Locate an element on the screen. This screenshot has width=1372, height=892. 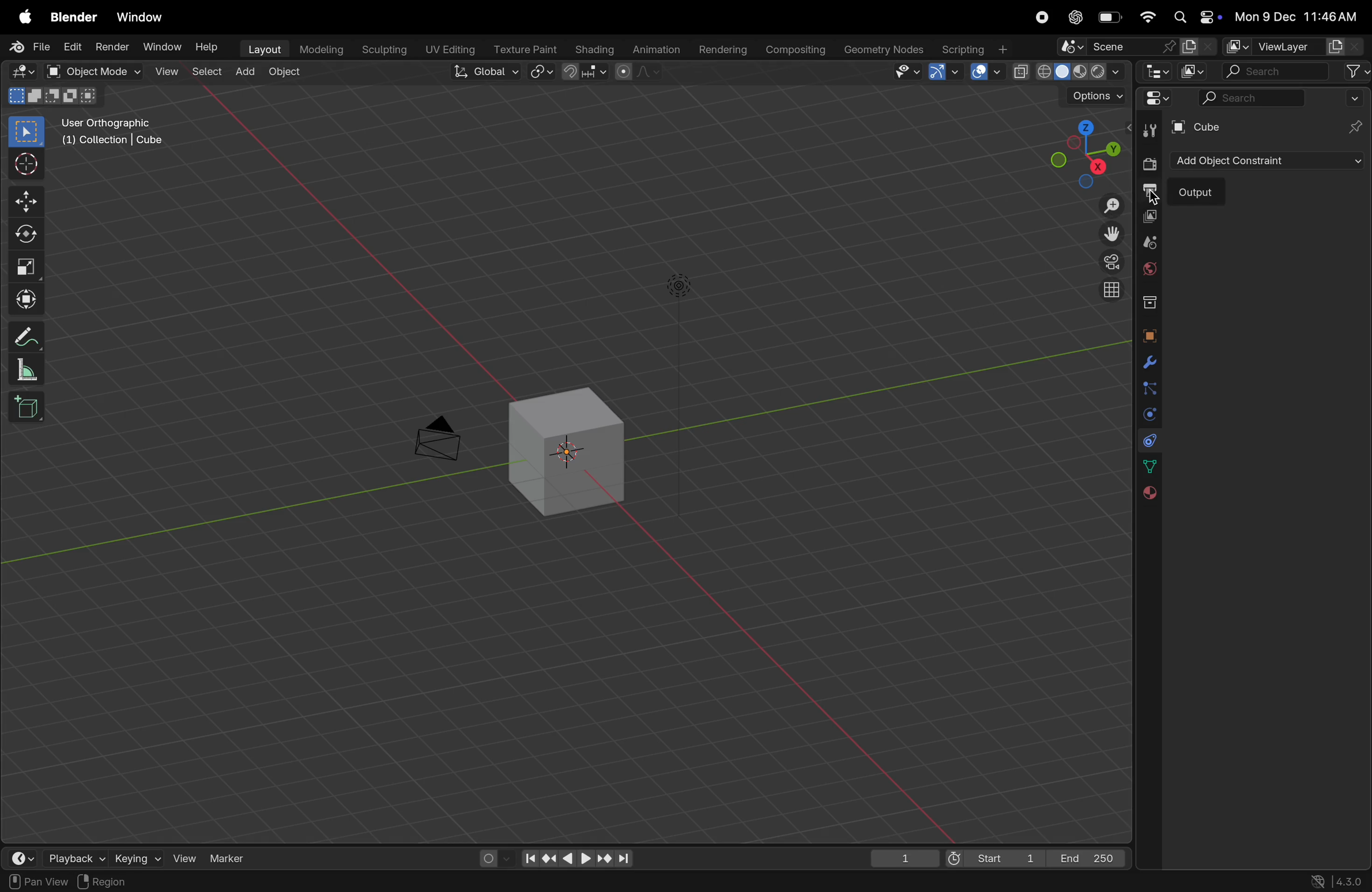
apple menu is located at coordinates (24, 17).